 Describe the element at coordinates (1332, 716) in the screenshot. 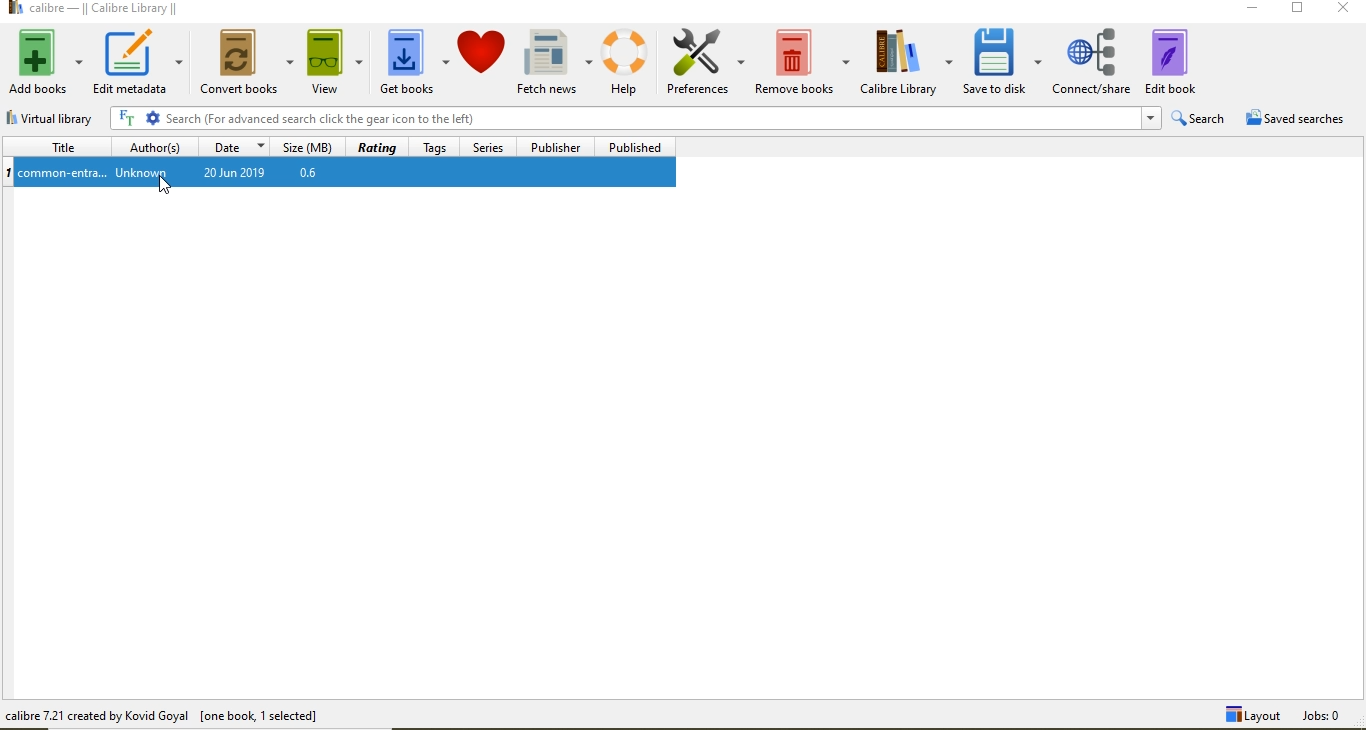

I see `Jobs: 0` at that location.